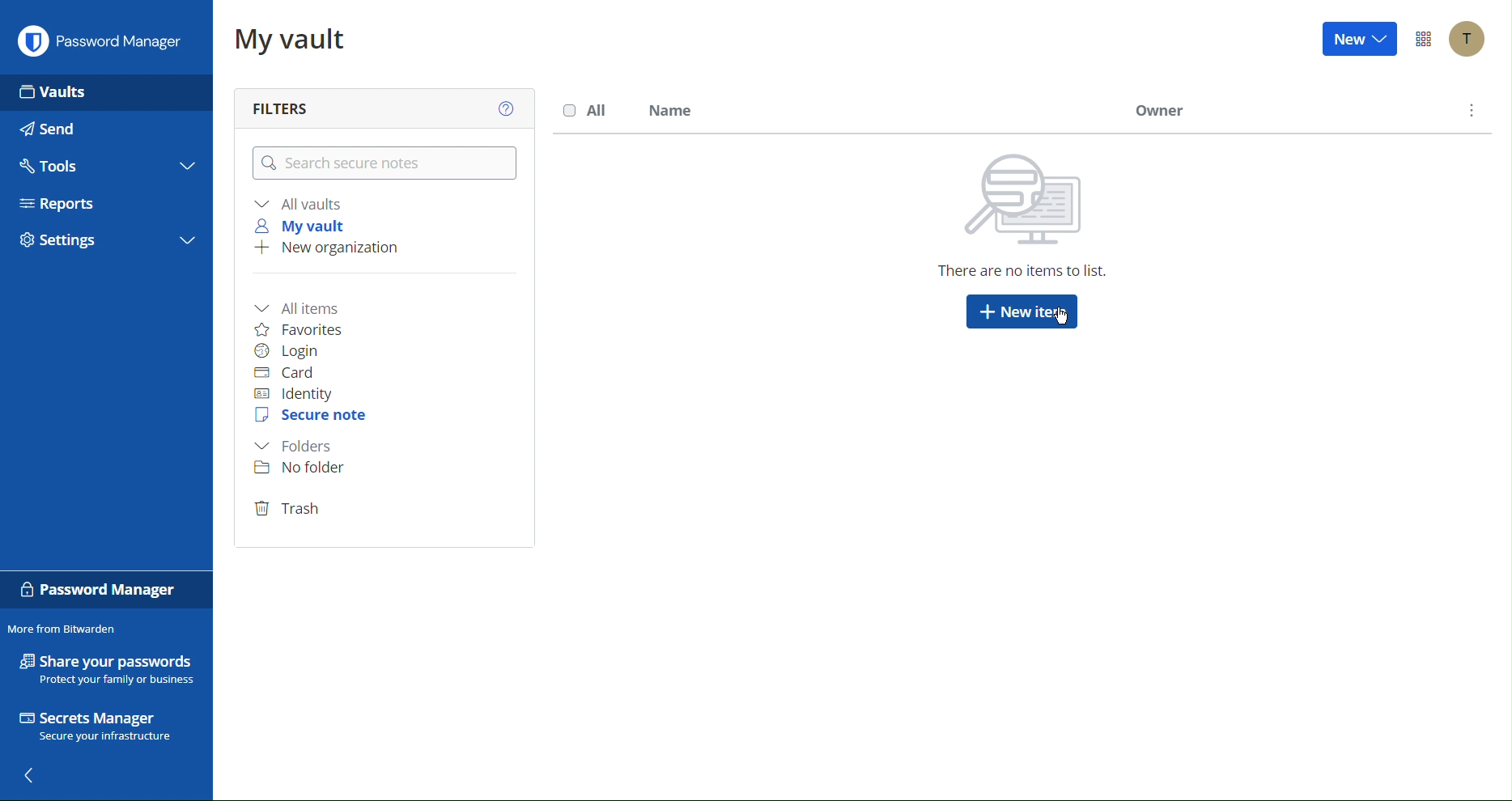  I want to click on Send, so click(54, 129).